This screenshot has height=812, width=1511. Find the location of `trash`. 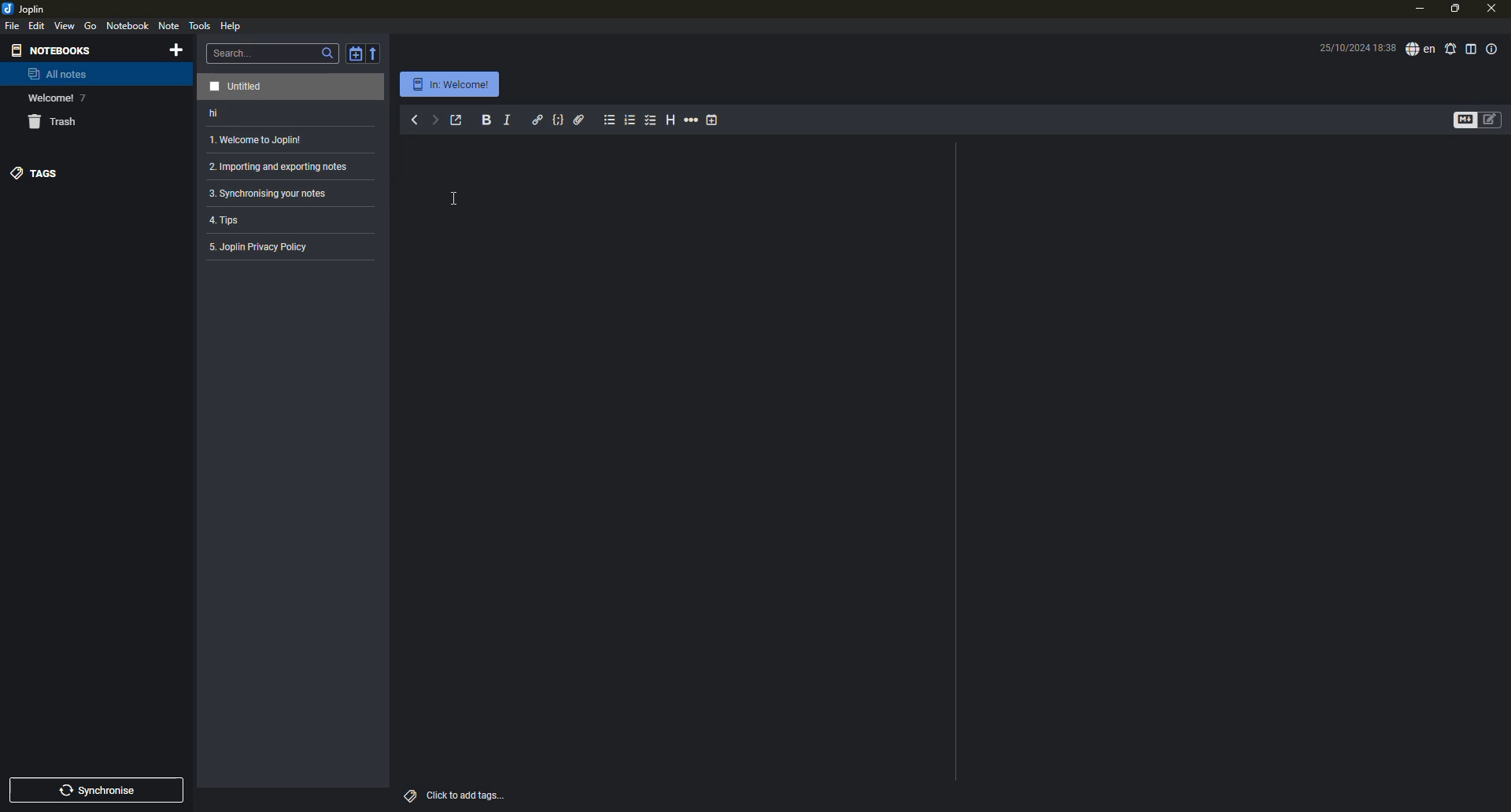

trash is located at coordinates (50, 121).